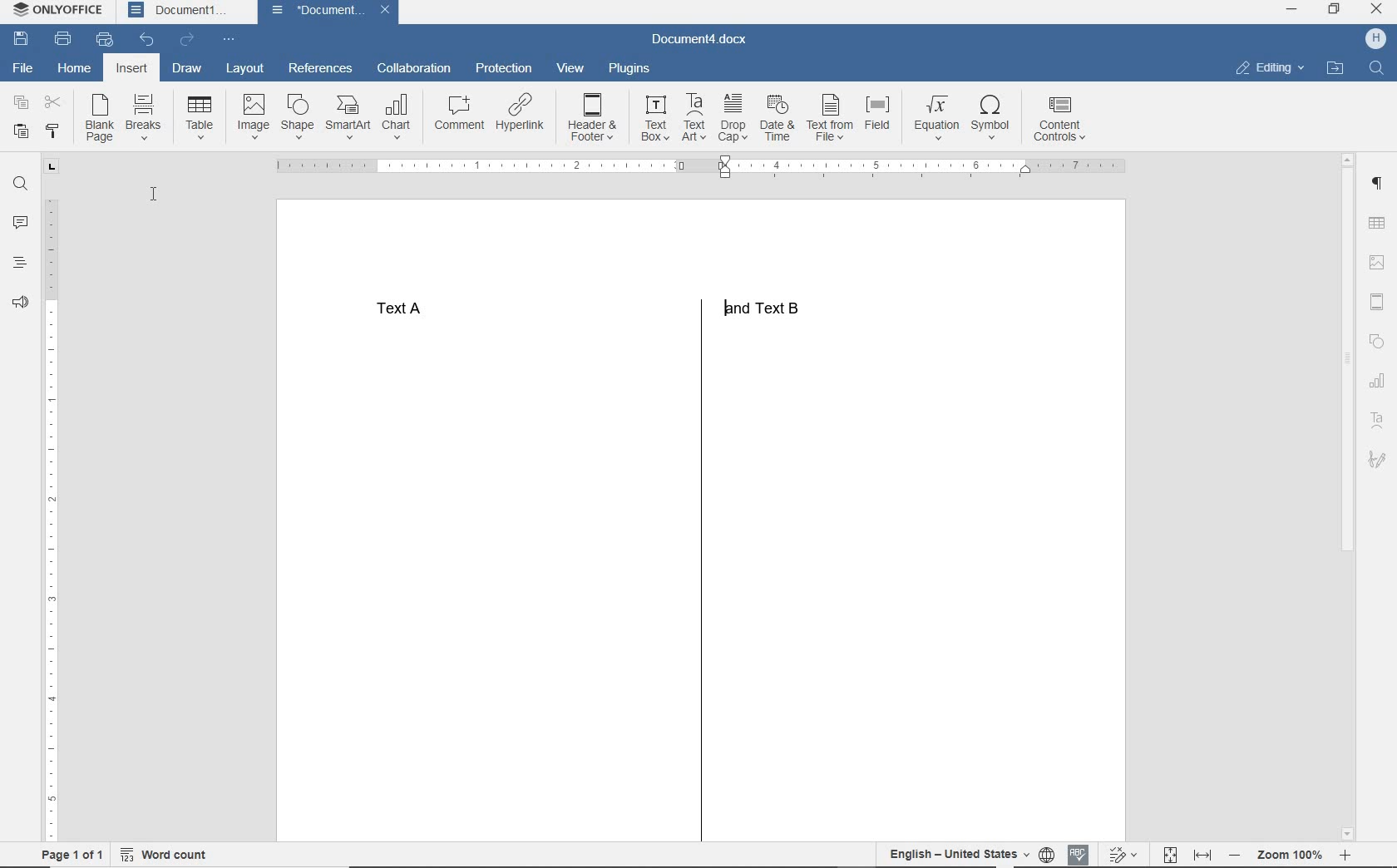 The image size is (1397, 868). Describe the element at coordinates (1270, 69) in the screenshot. I see `EDITING` at that location.